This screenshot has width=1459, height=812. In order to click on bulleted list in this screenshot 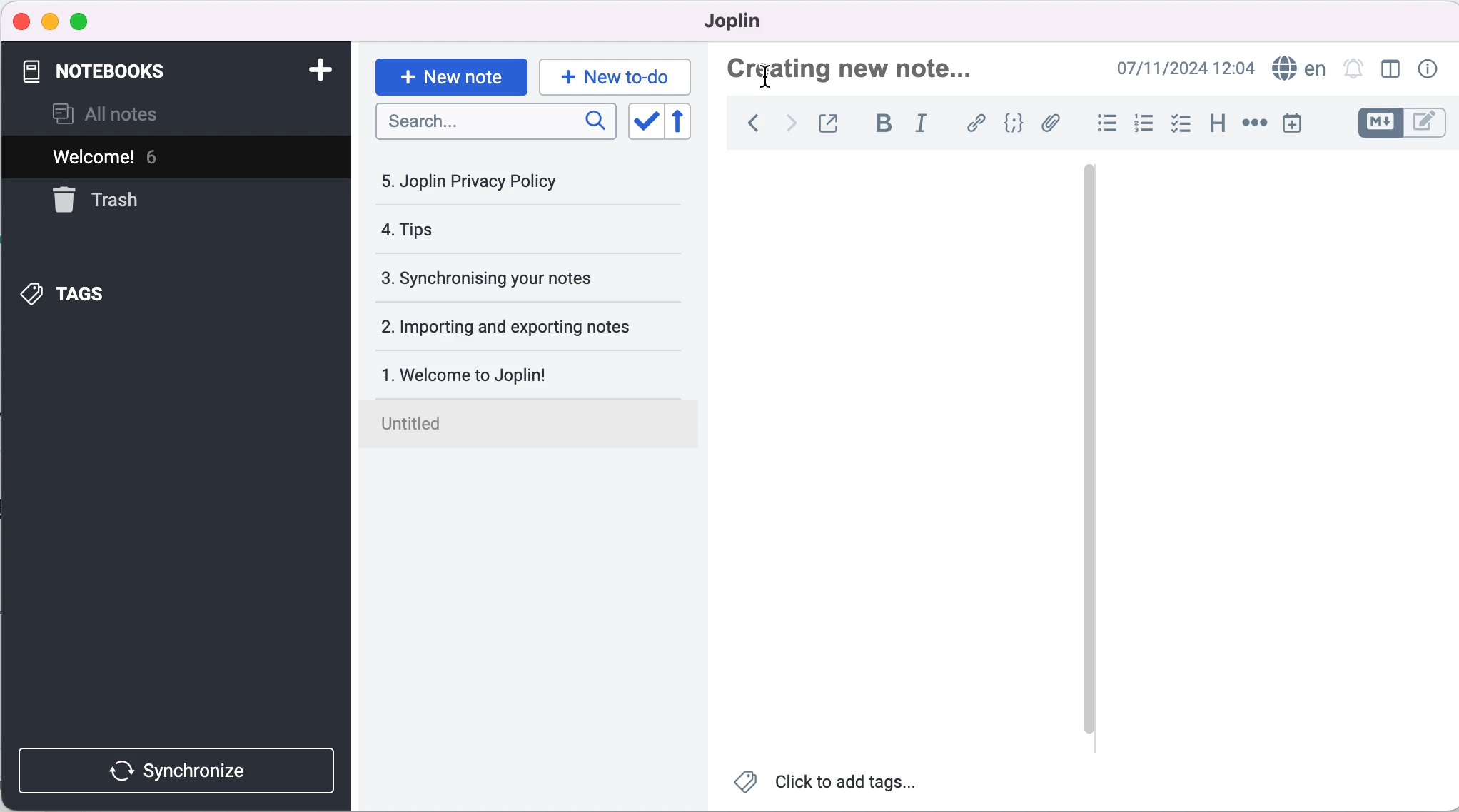, I will do `click(1100, 126)`.